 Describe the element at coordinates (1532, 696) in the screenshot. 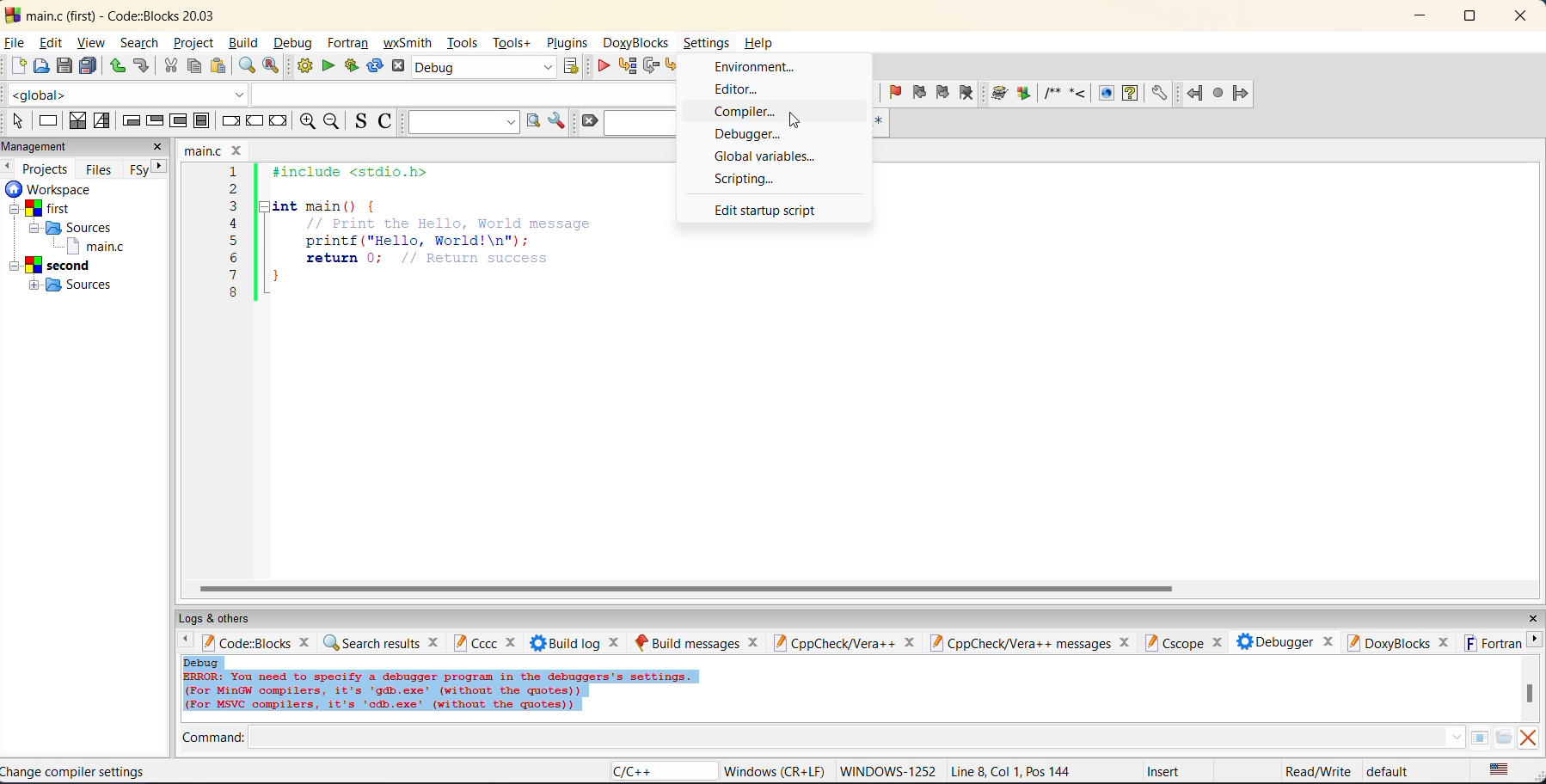

I see `vertical scroll bar` at that location.